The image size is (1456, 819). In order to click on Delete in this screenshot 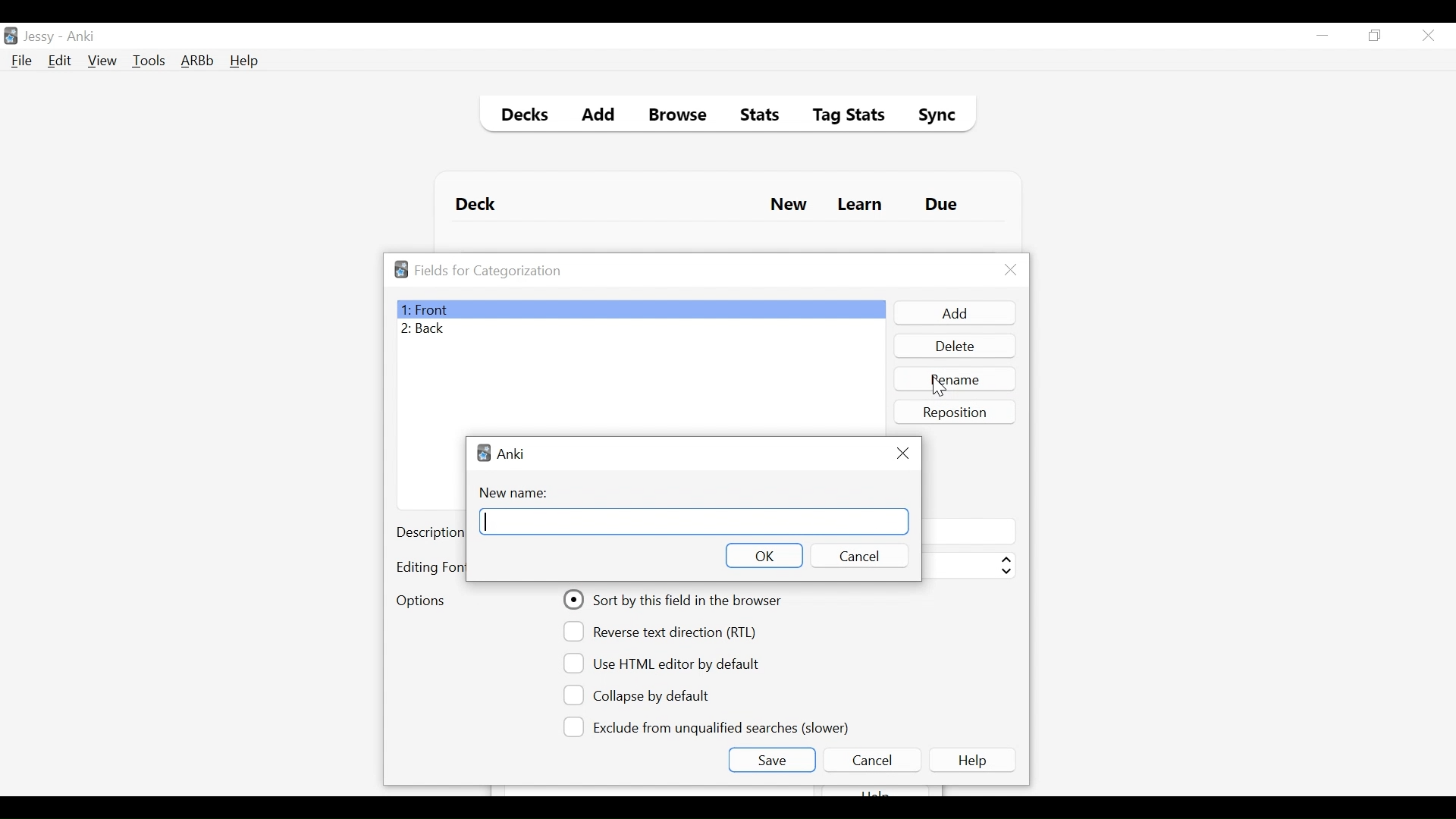, I will do `click(954, 347)`.